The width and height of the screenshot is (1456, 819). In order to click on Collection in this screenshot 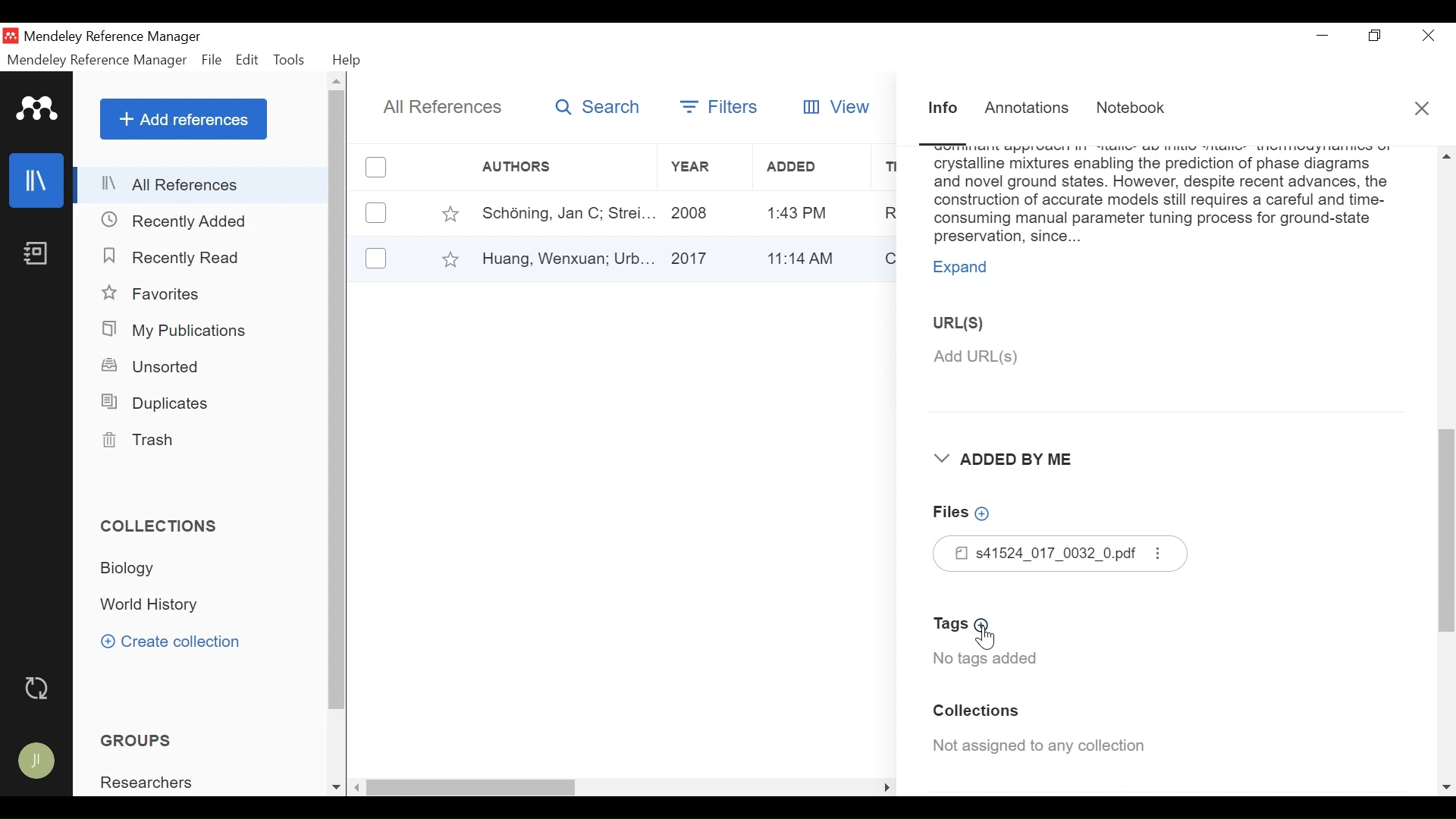, I will do `click(152, 606)`.